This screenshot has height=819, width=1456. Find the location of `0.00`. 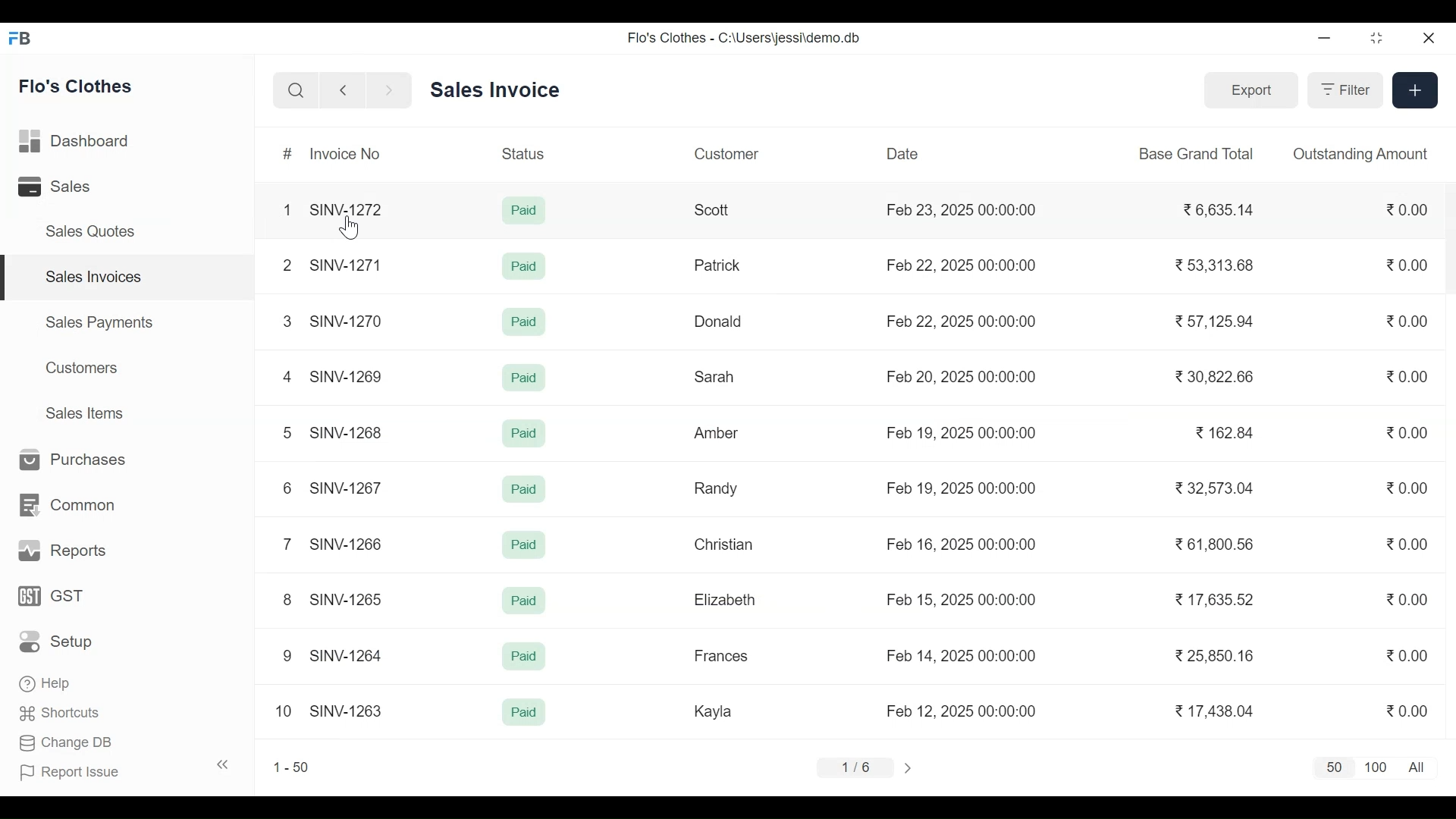

0.00 is located at coordinates (1407, 211).